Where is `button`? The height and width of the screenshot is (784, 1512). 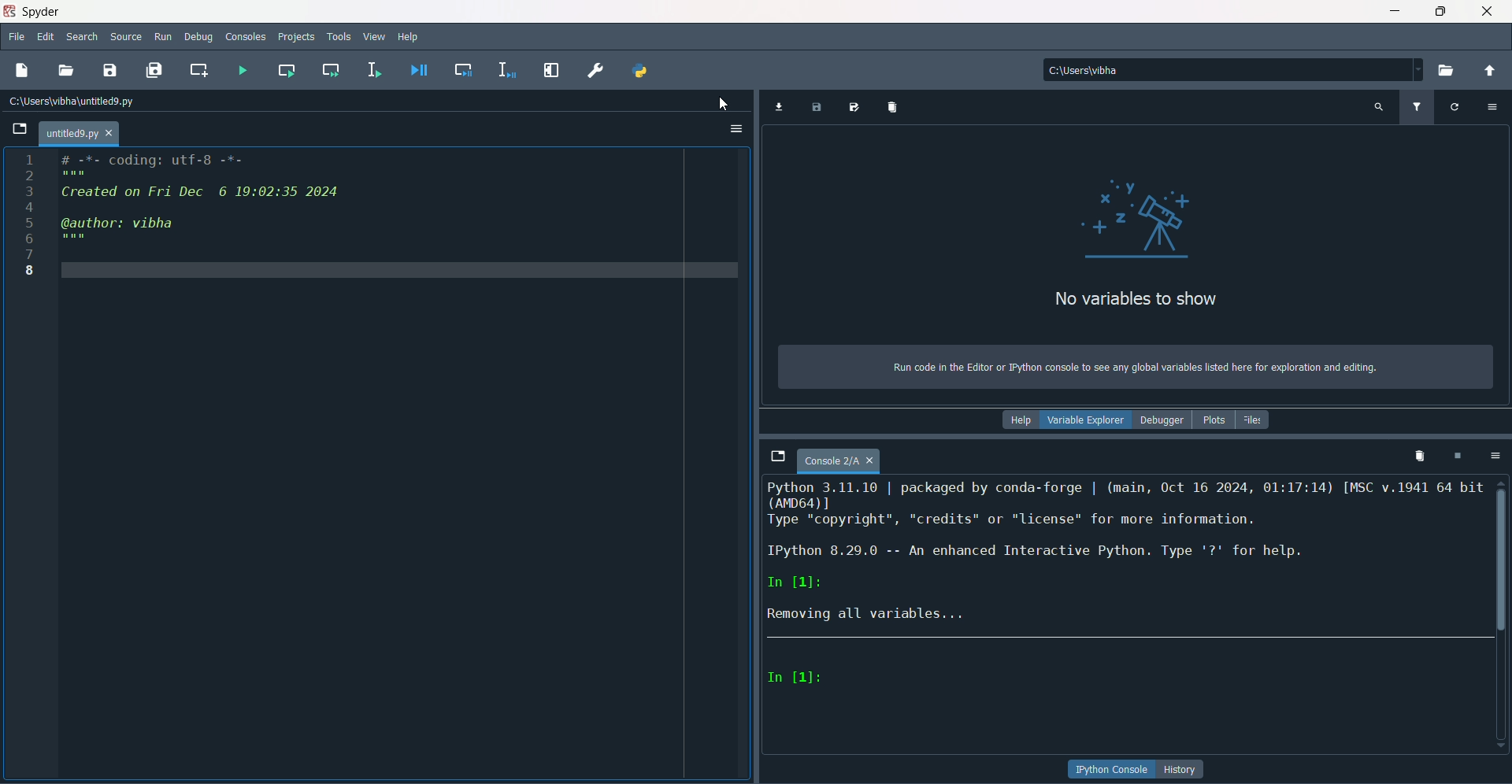
button is located at coordinates (1112, 770).